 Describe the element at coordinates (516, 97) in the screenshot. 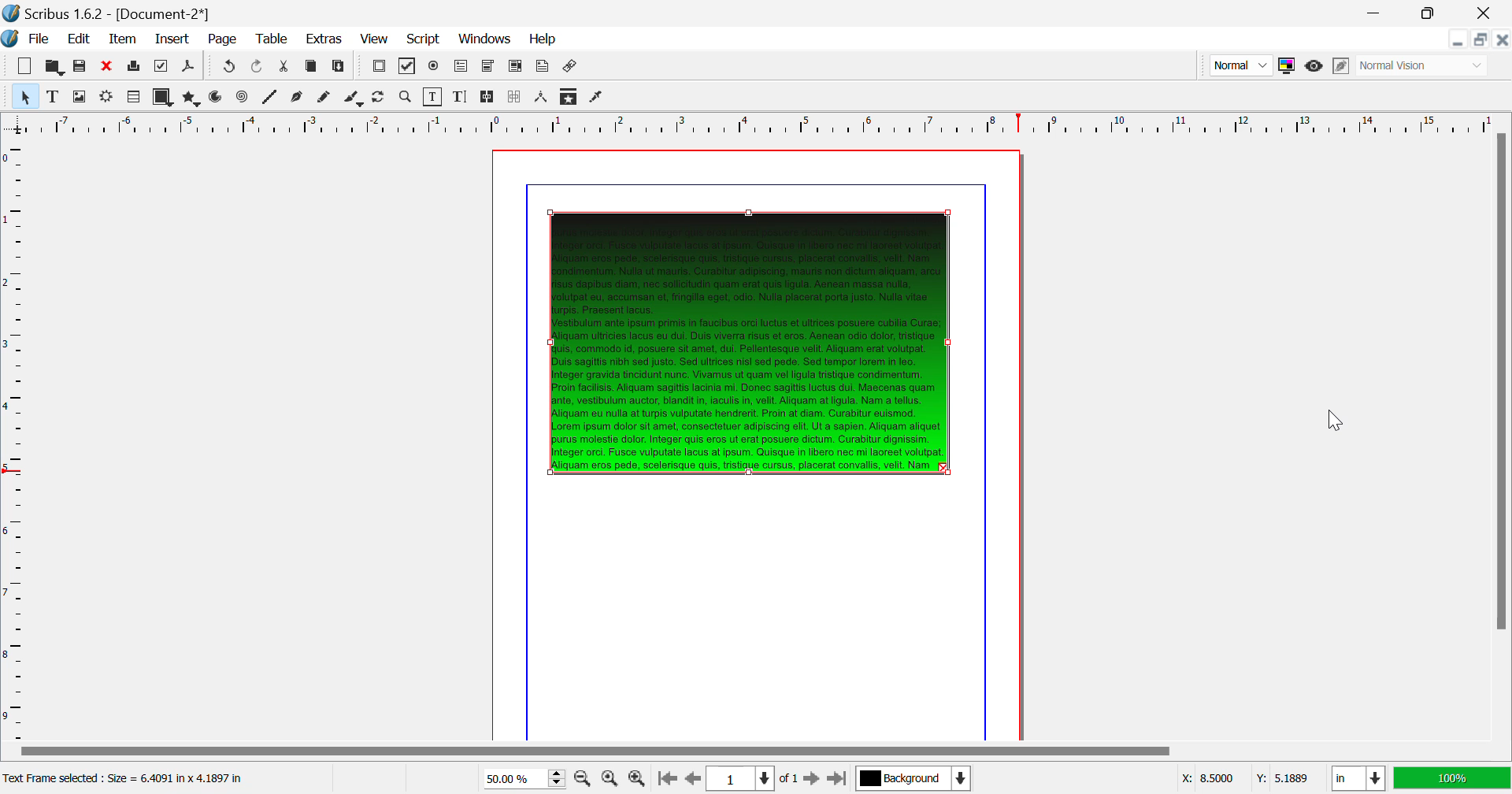

I see `Delink Frames` at that location.